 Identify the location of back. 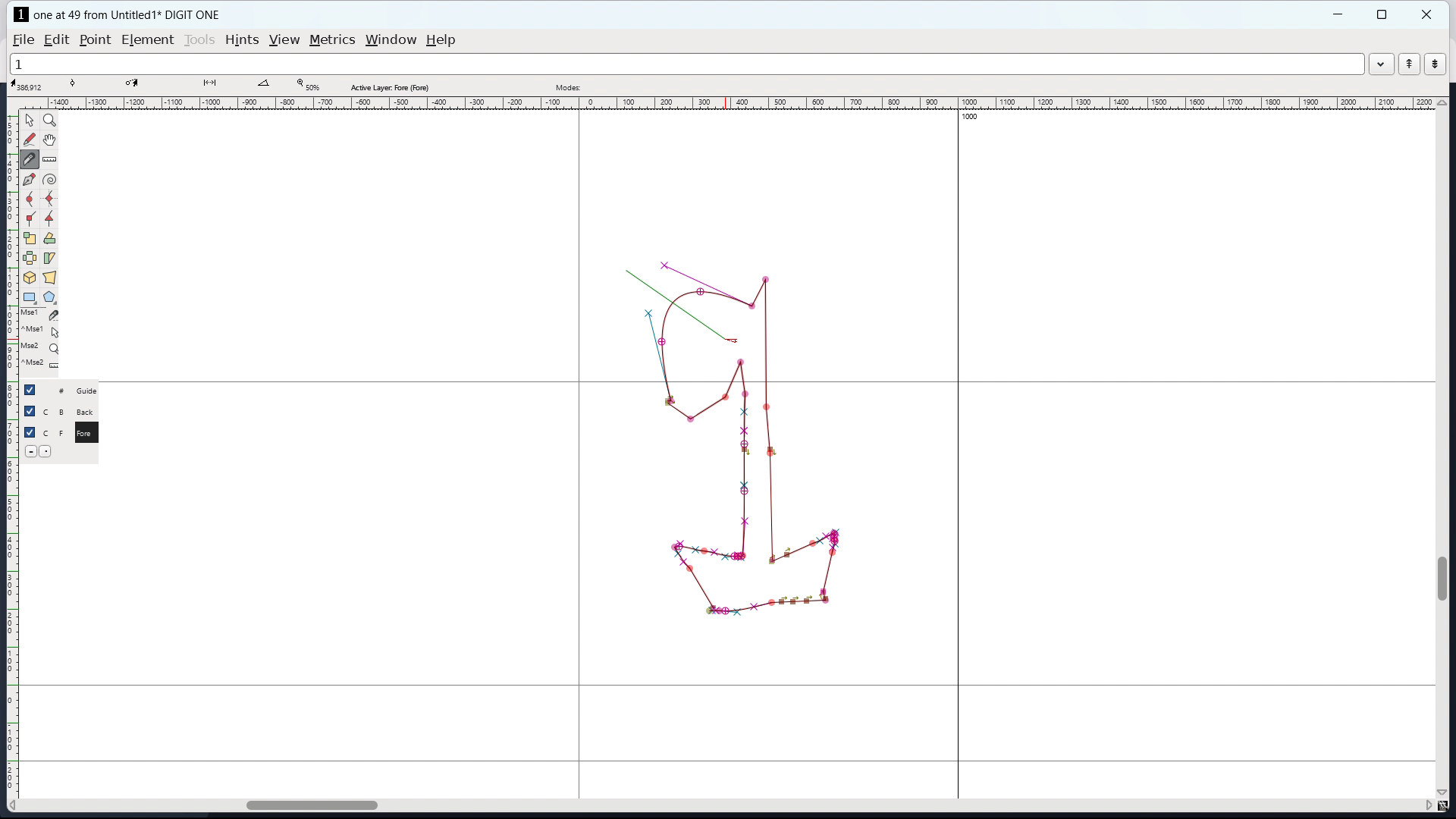
(88, 412).